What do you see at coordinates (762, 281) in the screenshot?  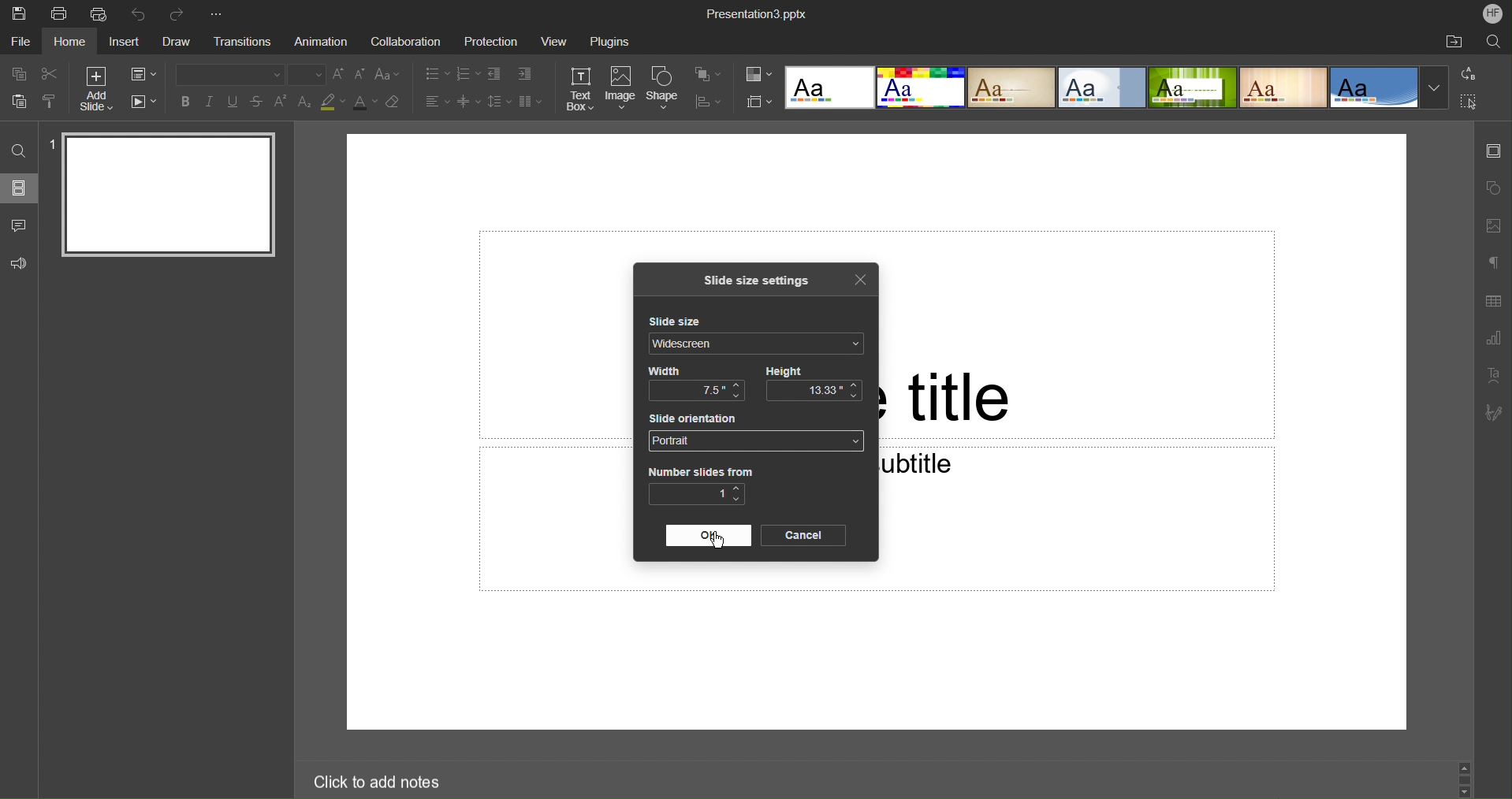 I see `Slide size settings` at bounding box center [762, 281].